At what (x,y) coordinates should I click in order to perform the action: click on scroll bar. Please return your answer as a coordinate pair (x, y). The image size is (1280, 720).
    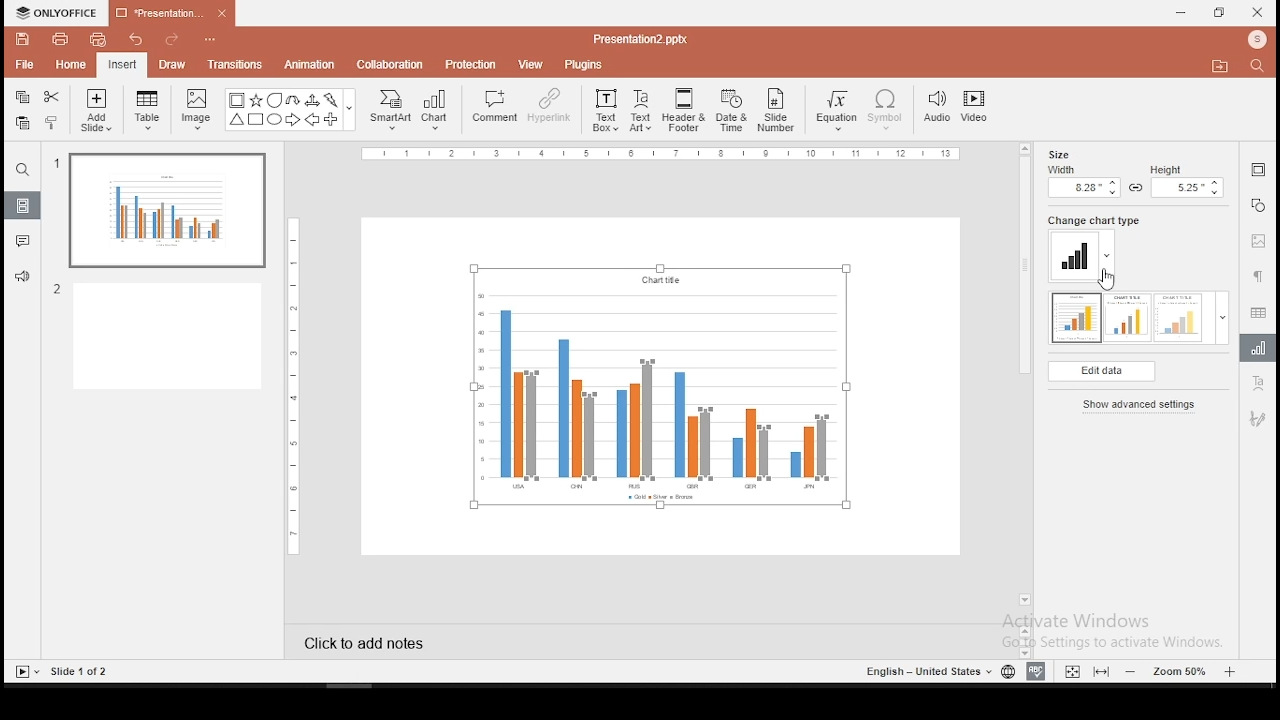
    Looking at the image, I should click on (1025, 380).